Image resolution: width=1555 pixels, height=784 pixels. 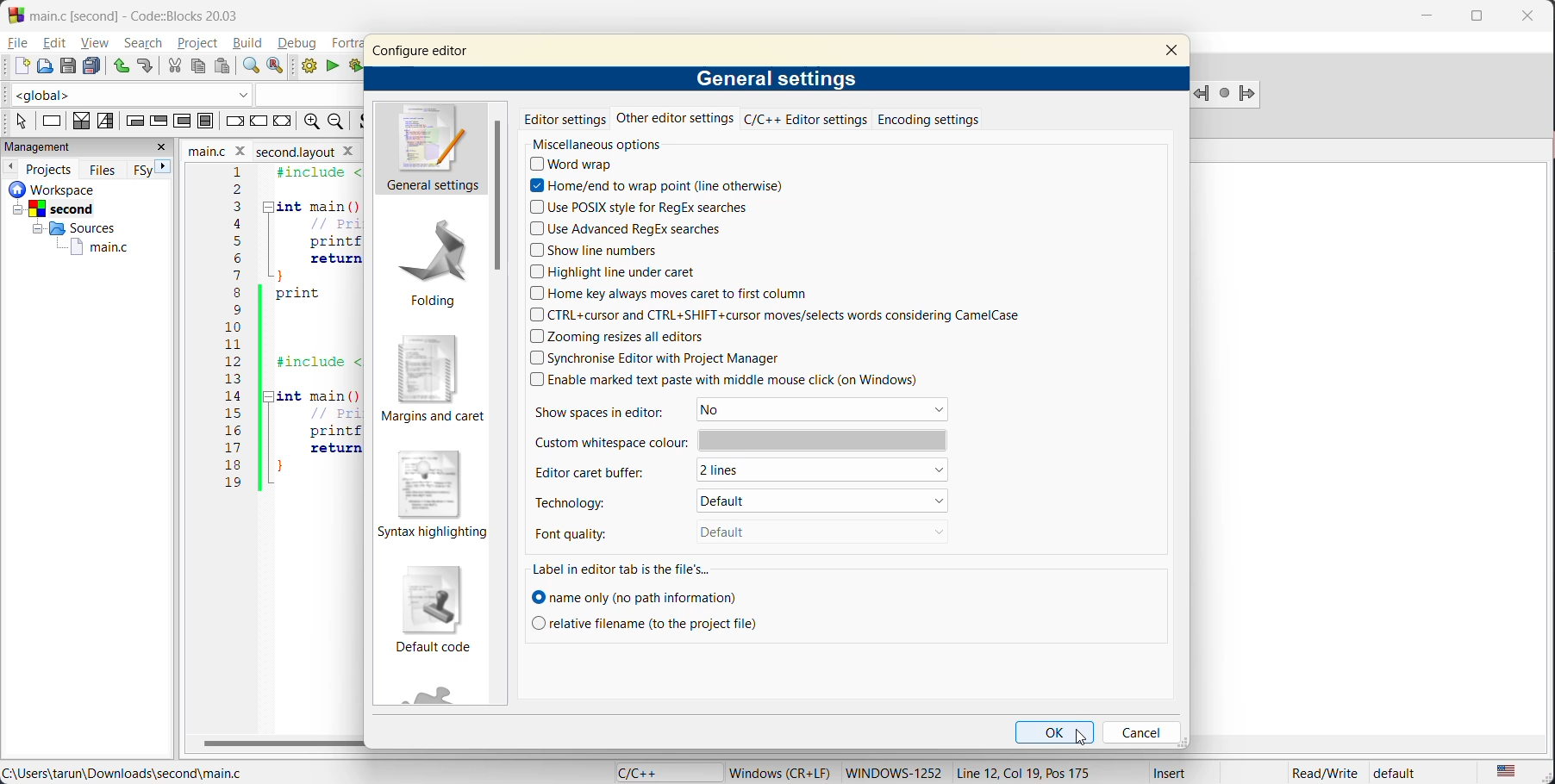 I want to click on jump forward, so click(x=1256, y=92).